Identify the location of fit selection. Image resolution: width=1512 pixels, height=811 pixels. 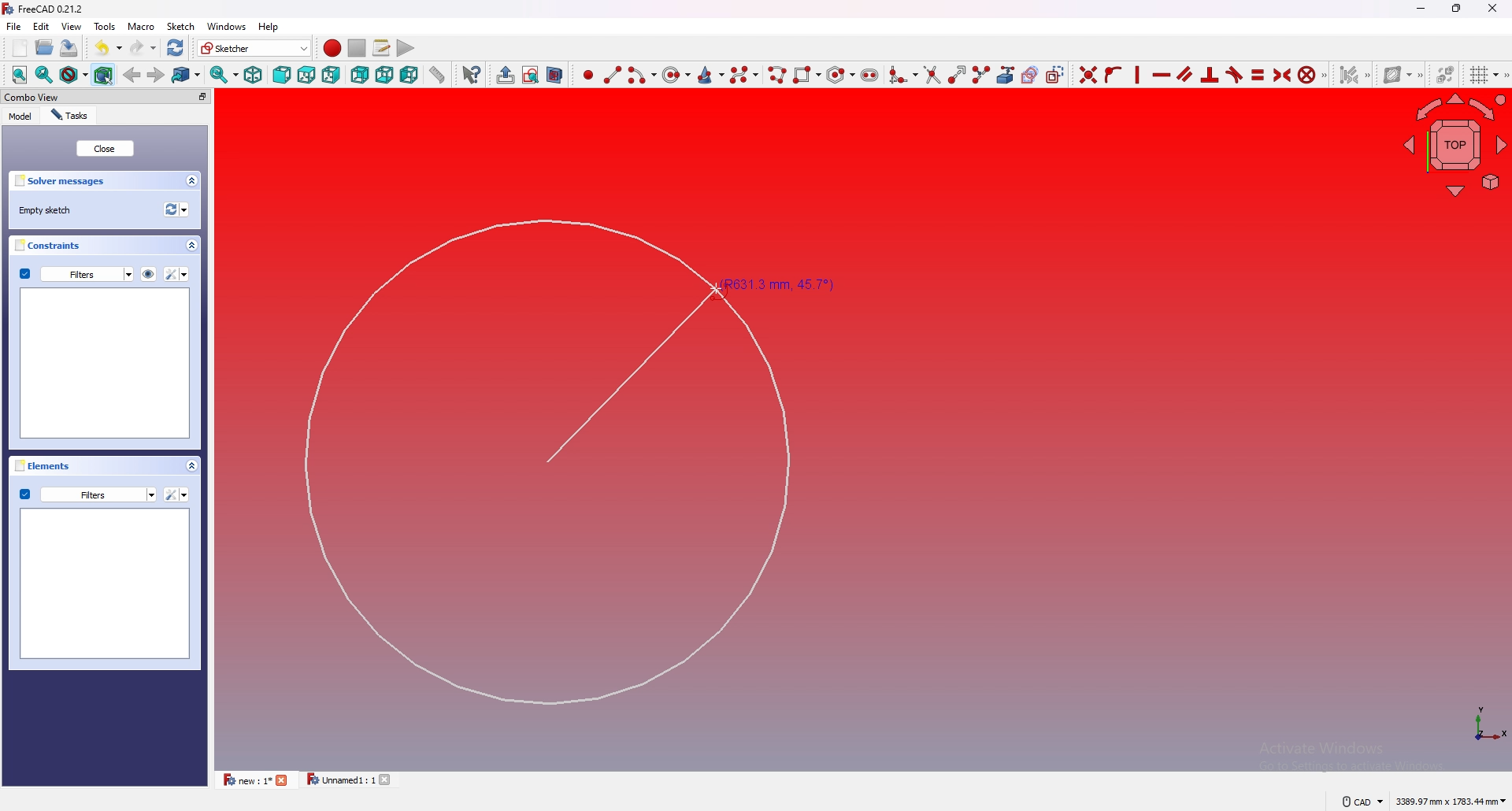
(44, 74).